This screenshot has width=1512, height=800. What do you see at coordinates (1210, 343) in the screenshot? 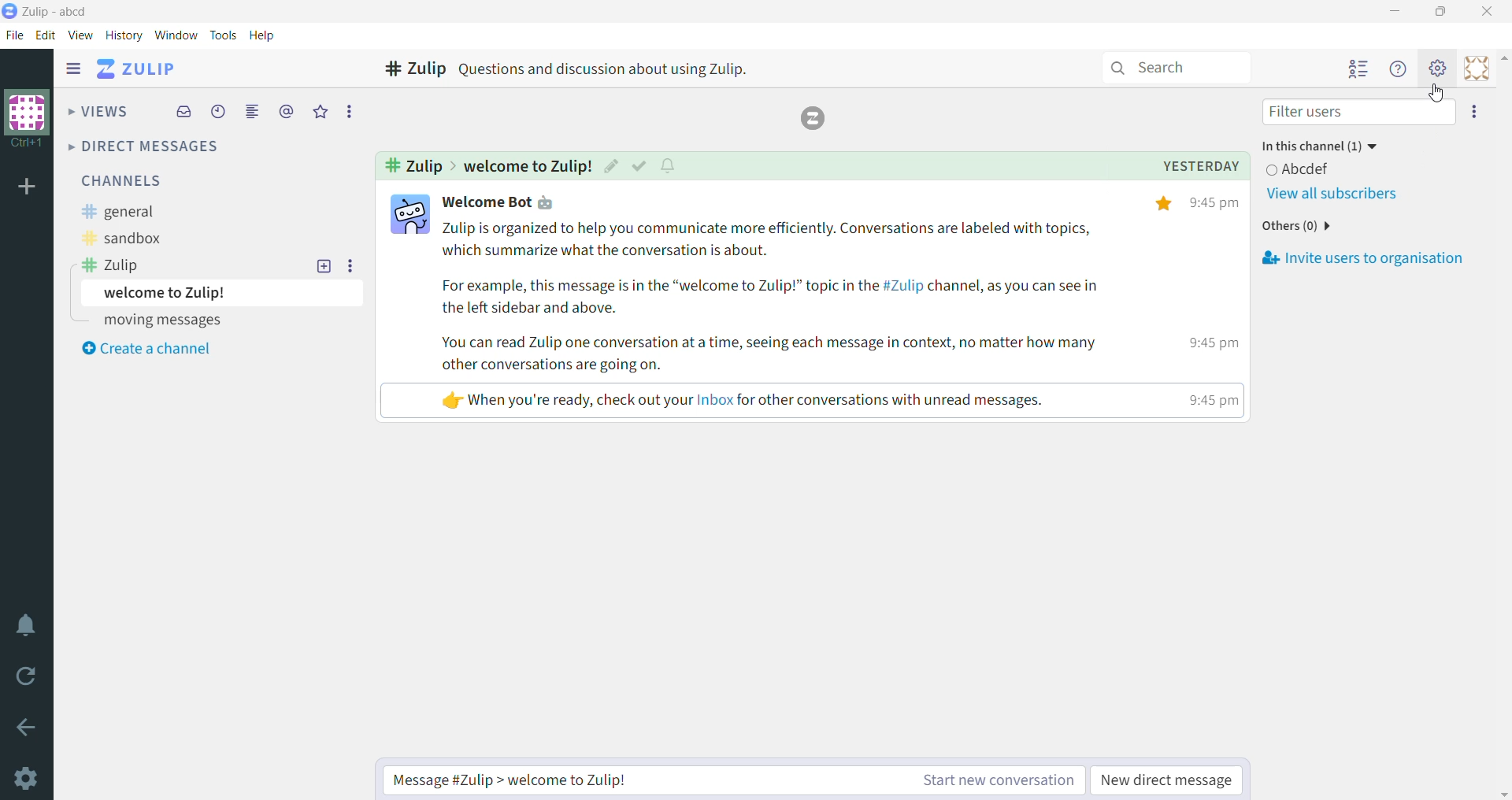
I see `9:45 pm |` at bounding box center [1210, 343].